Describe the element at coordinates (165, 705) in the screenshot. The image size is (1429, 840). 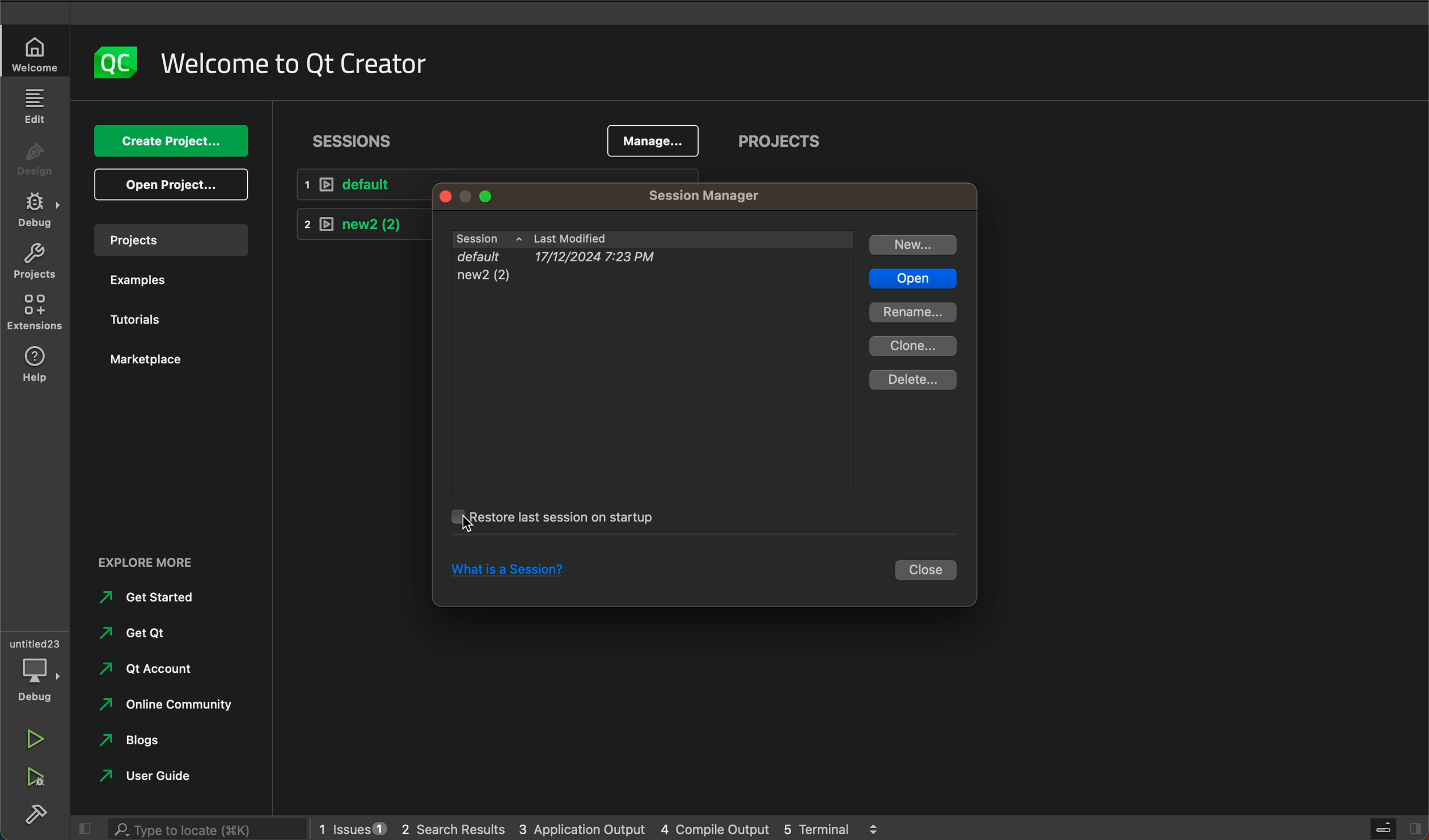
I see `online community` at that location.